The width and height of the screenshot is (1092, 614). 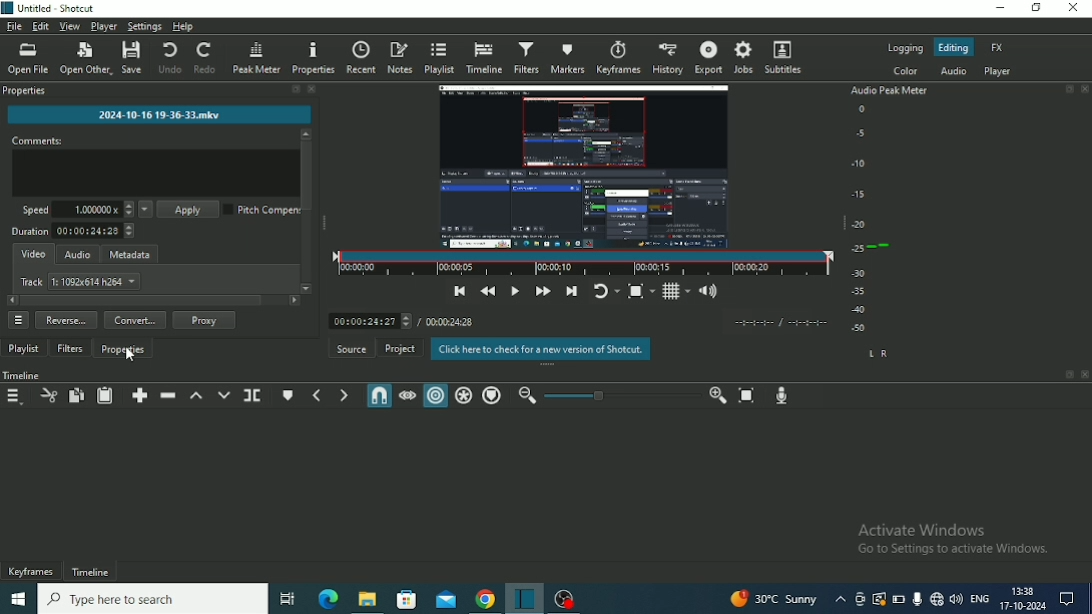 I want to click on Toggle zoom, so click(x=641, y=292).